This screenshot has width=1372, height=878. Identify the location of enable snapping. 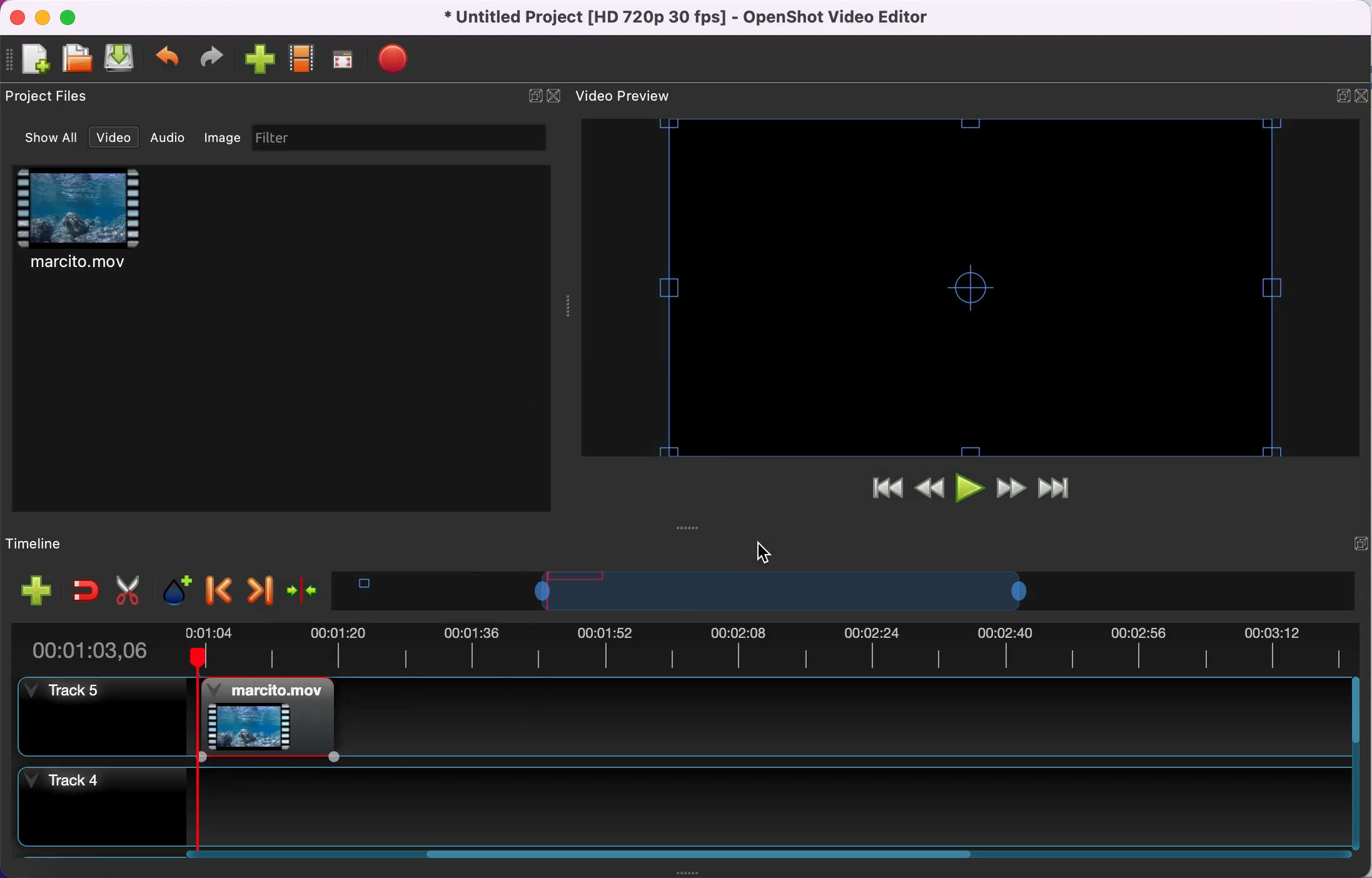
(80, 589).